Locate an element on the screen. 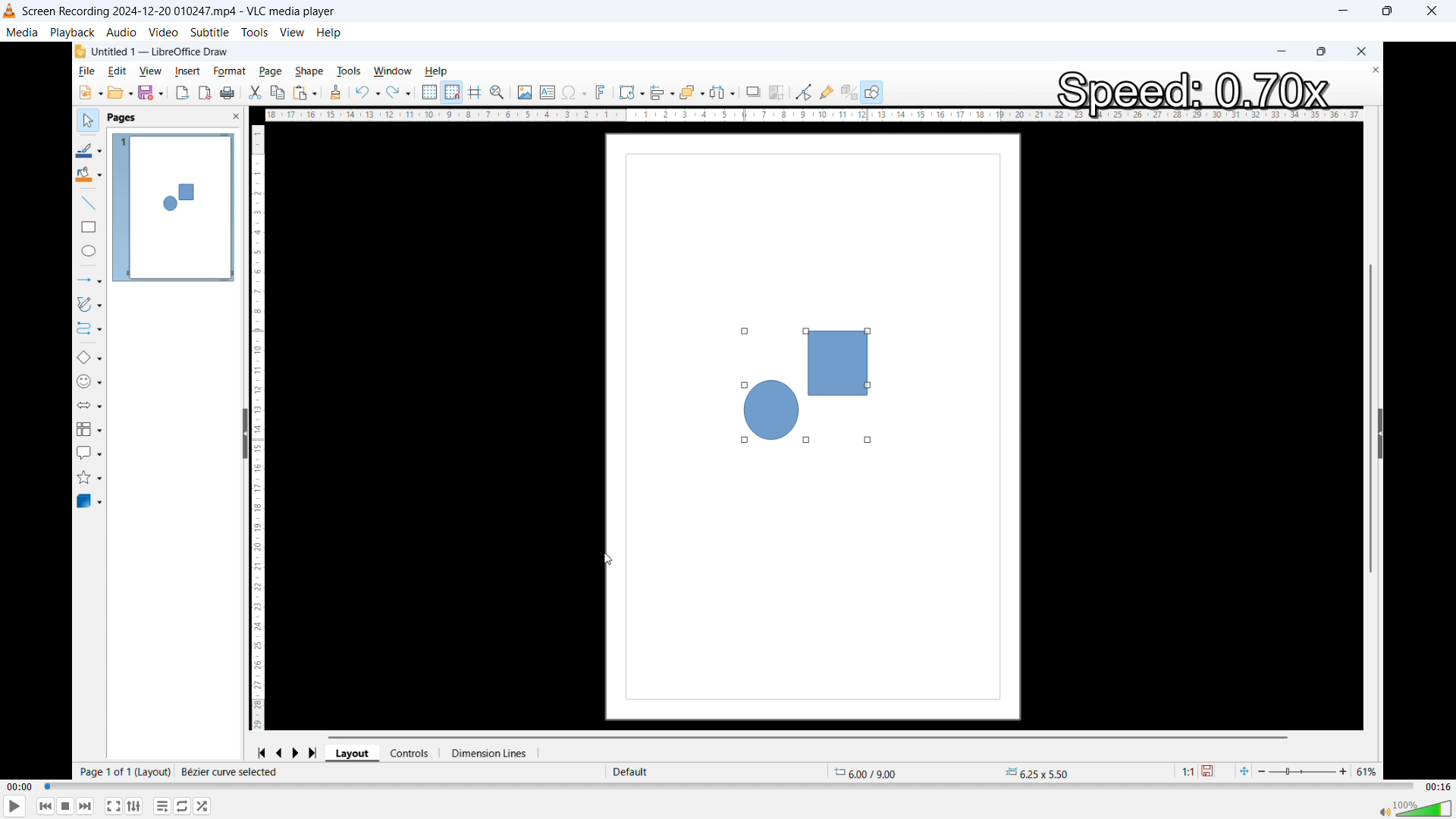 The height and width of the screenshot is (819, 1456). Maximise  is located at coordinates (1390, 11).